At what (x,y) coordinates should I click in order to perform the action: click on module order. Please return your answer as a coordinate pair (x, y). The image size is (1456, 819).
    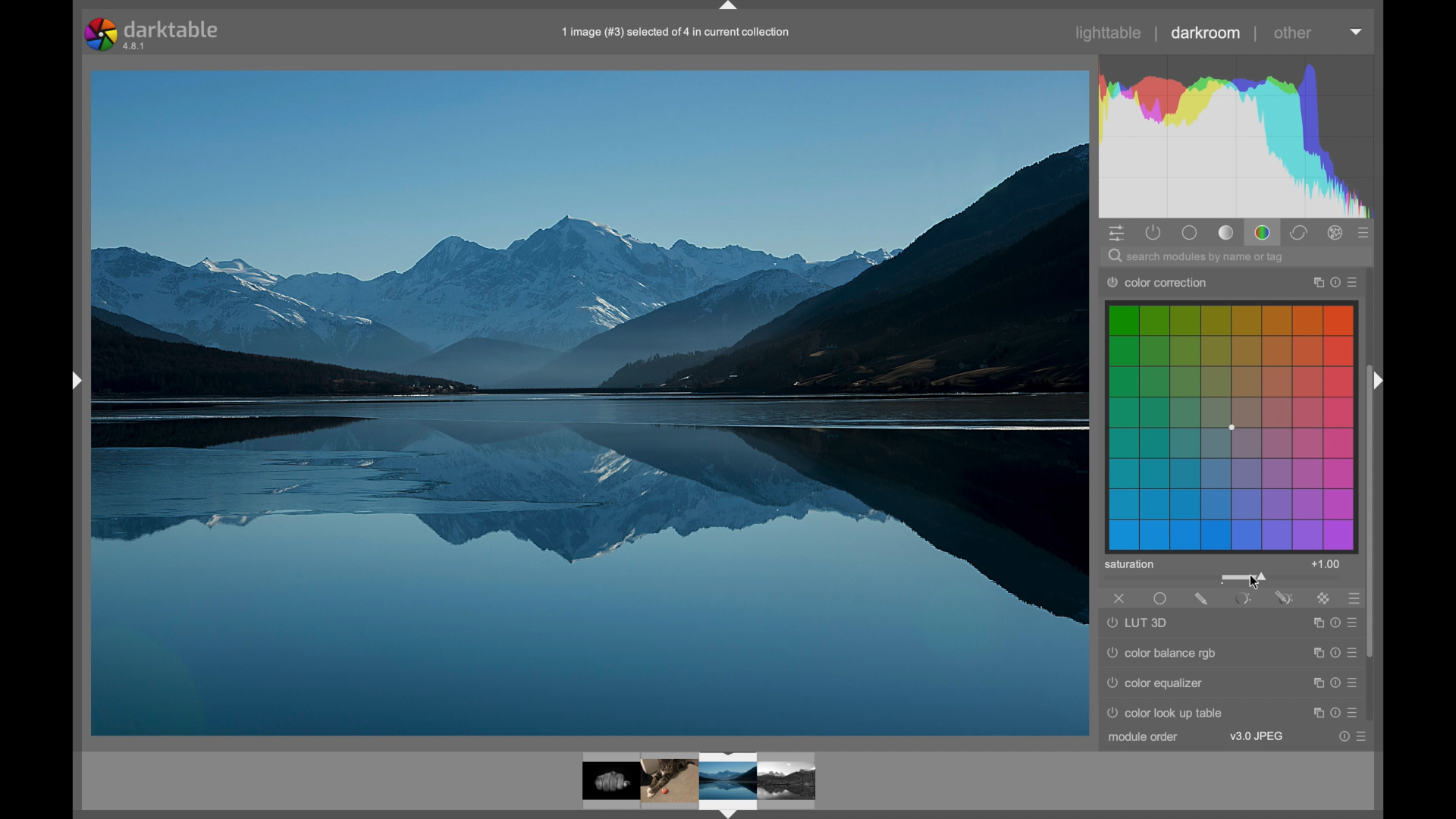
    Looking at the image, I should click on (1144, 737).